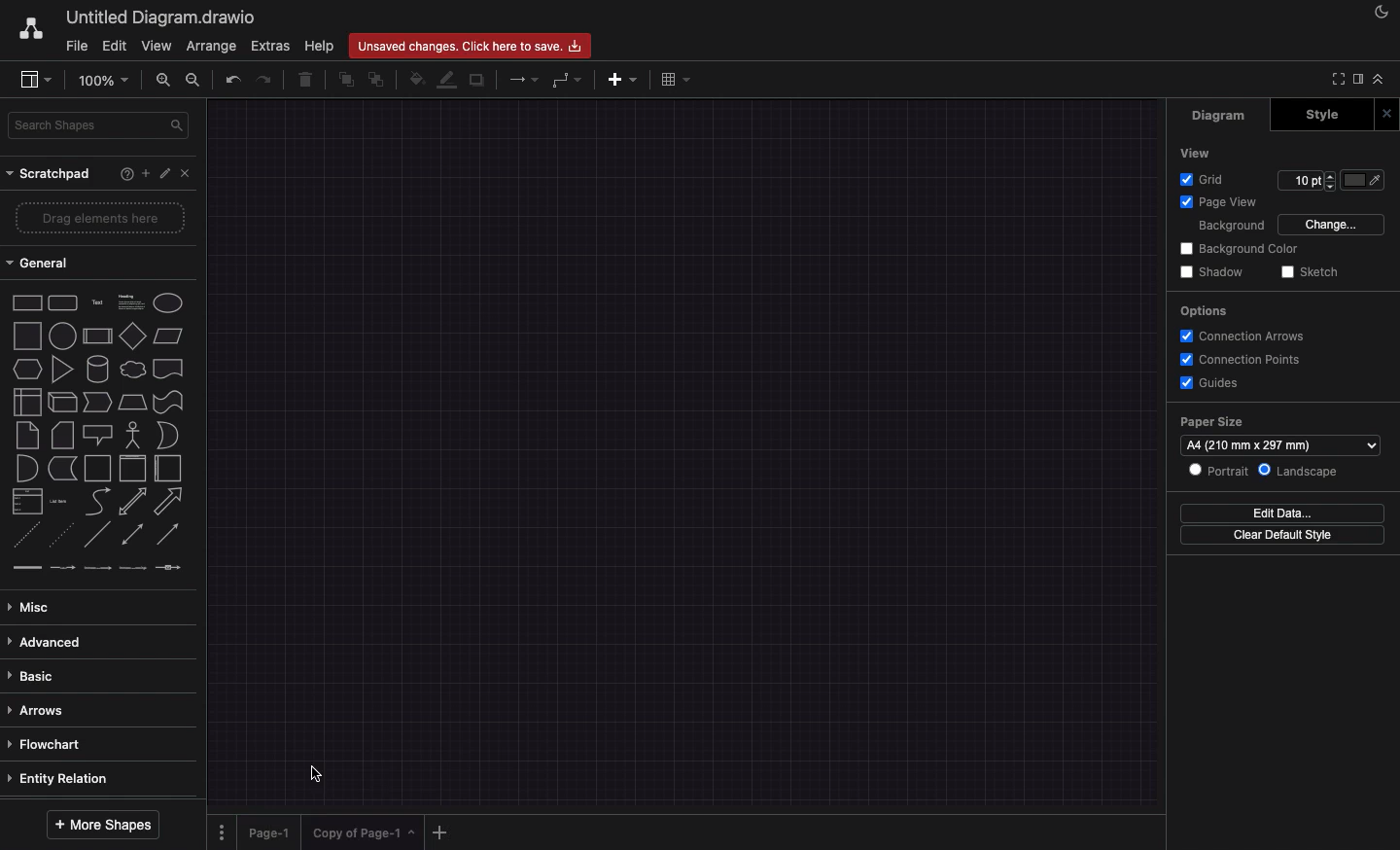 The image size is (1400, 850). Describe the element at coordinates (1202, 181) in the screenshot. I see `grid` at that location.